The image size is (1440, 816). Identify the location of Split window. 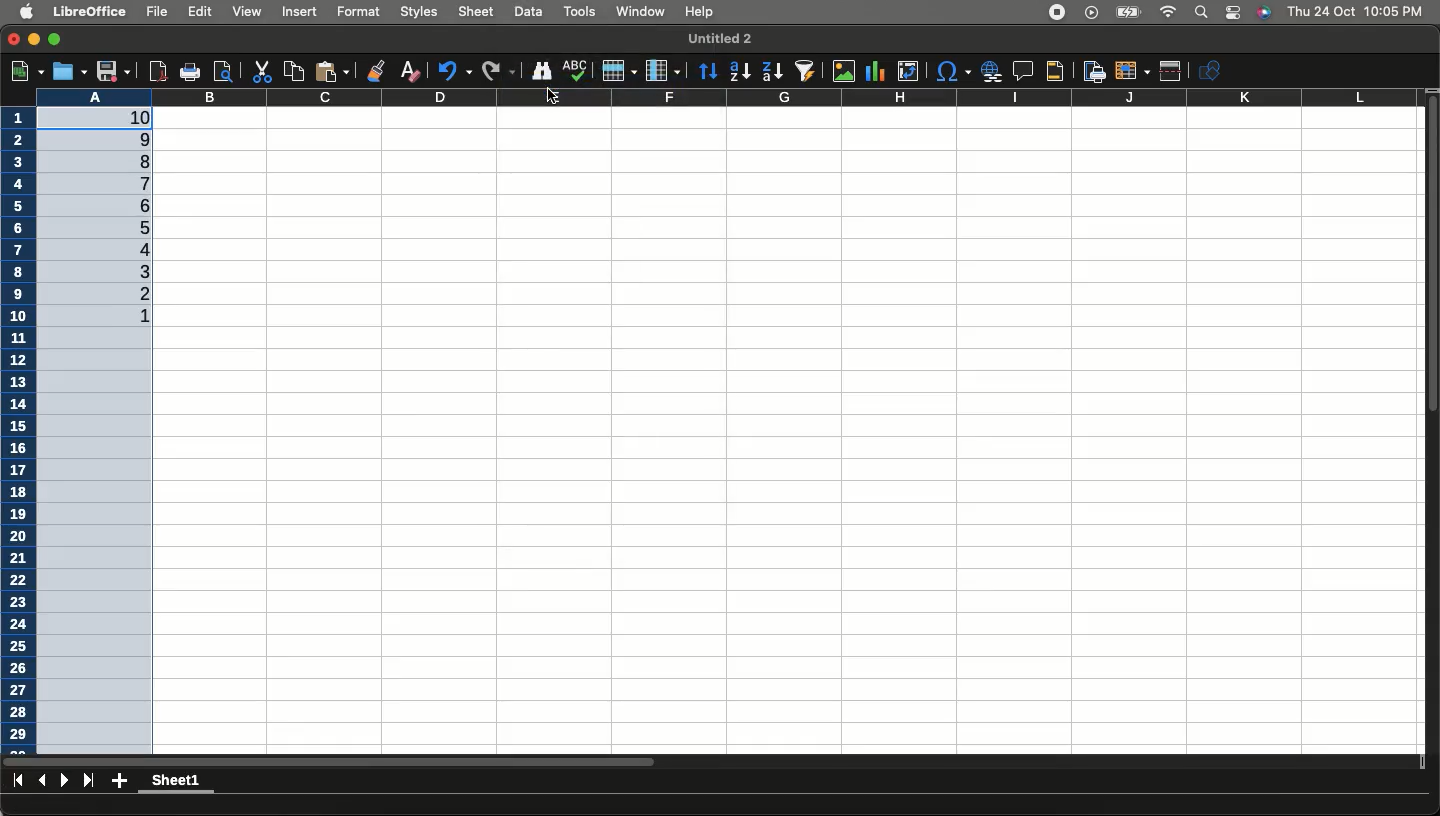
(1172, 71).